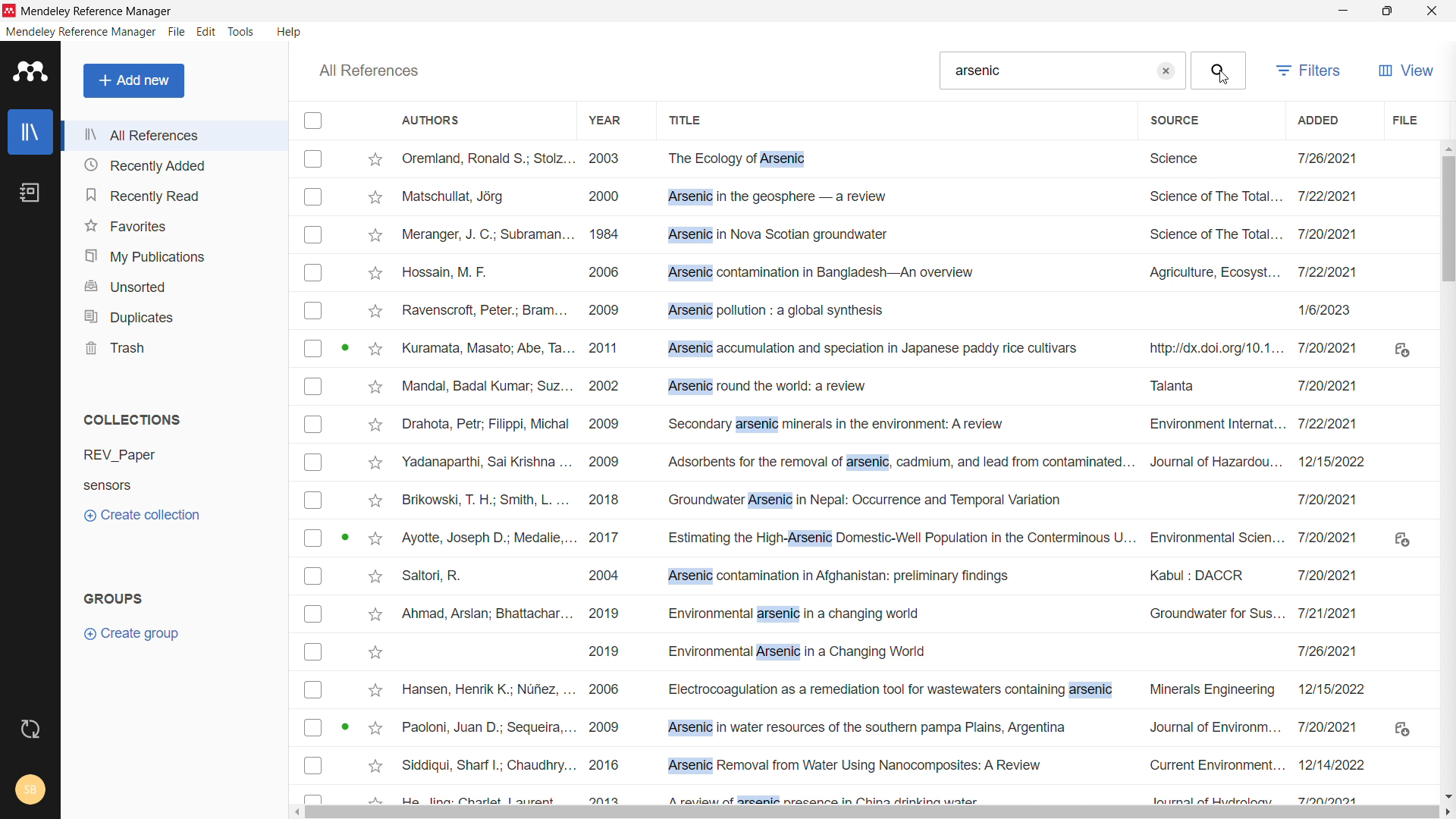 The height and width of the screenshot is (819, 1456). What do you see at coordinates (314, 235) in the screenshot?
I see `Checkbox` at bounding box center [314, 235].